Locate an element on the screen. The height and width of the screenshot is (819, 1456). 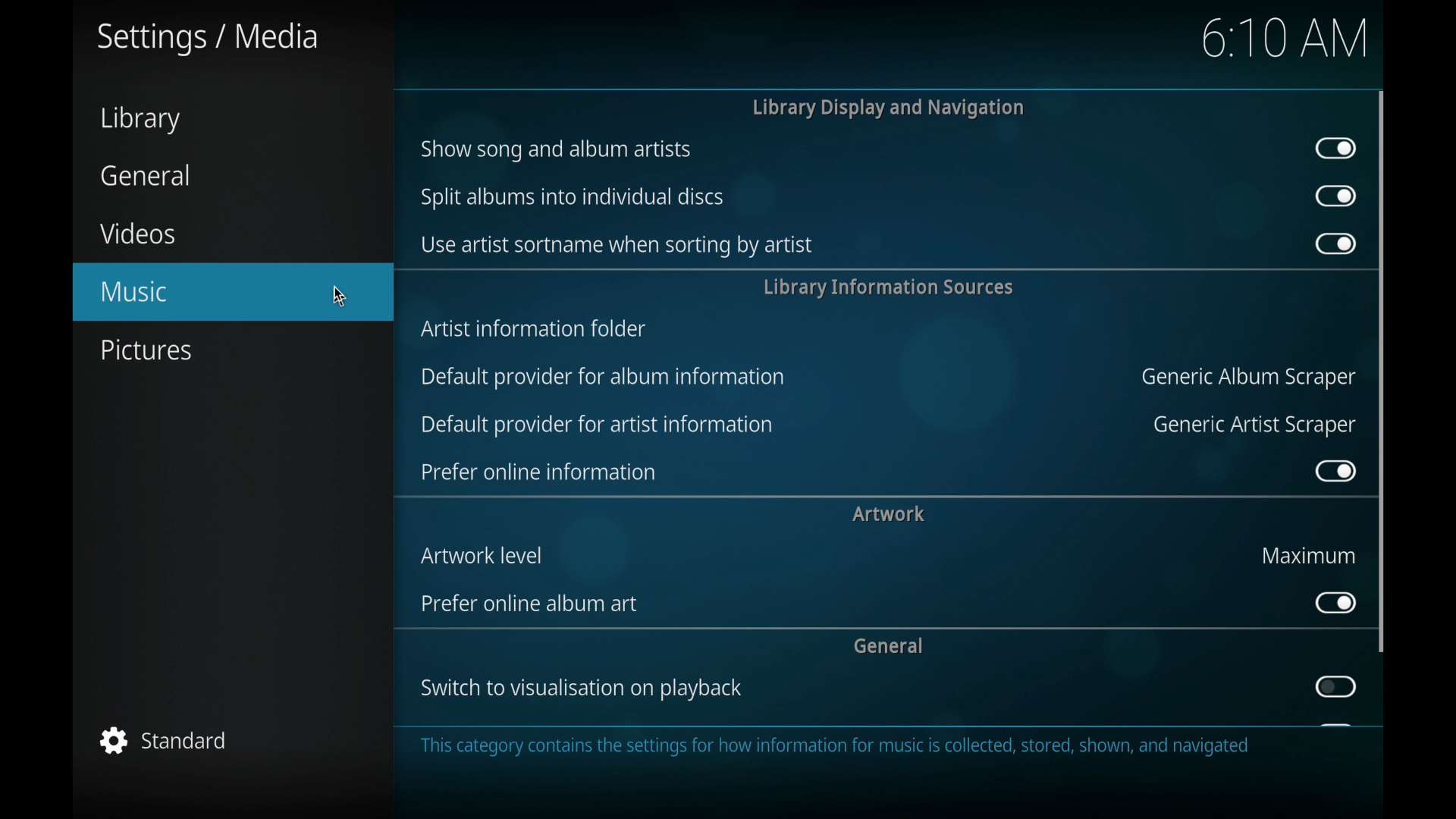
videos is located at coordinates (136, 233).